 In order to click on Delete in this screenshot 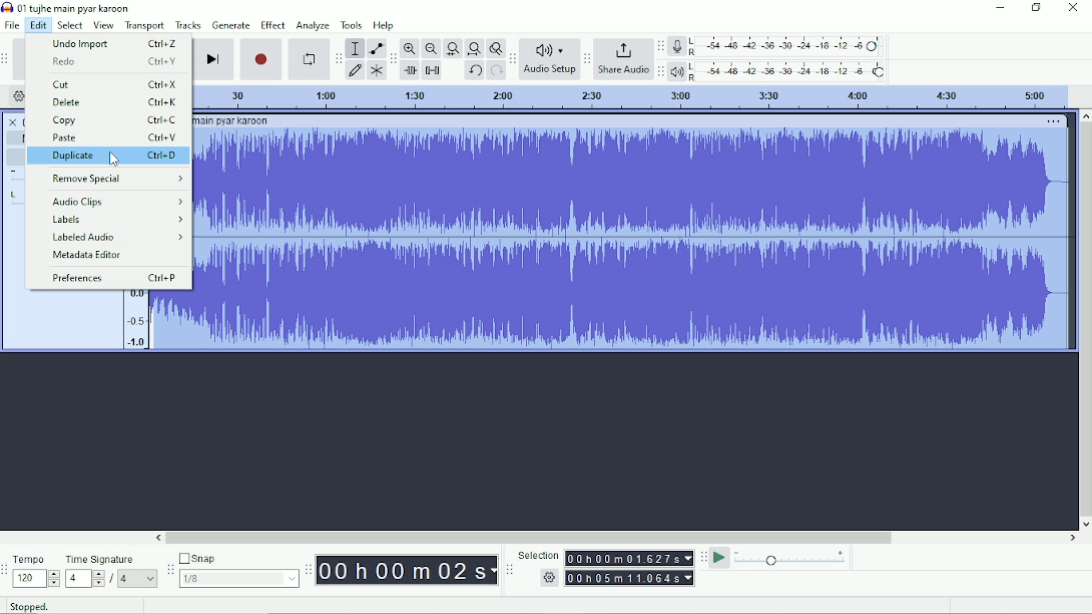, I will do `click(113, 103)`.